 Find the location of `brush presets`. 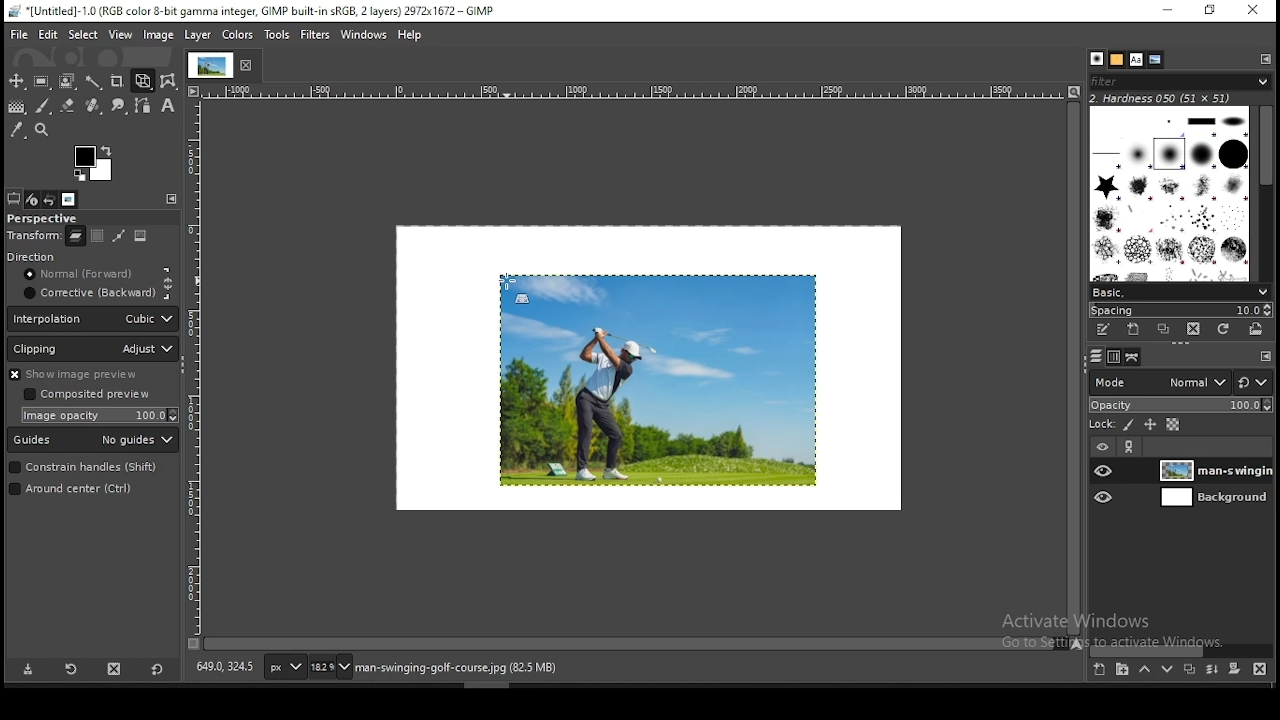

brush presets is located at coordinates (1180, 292).